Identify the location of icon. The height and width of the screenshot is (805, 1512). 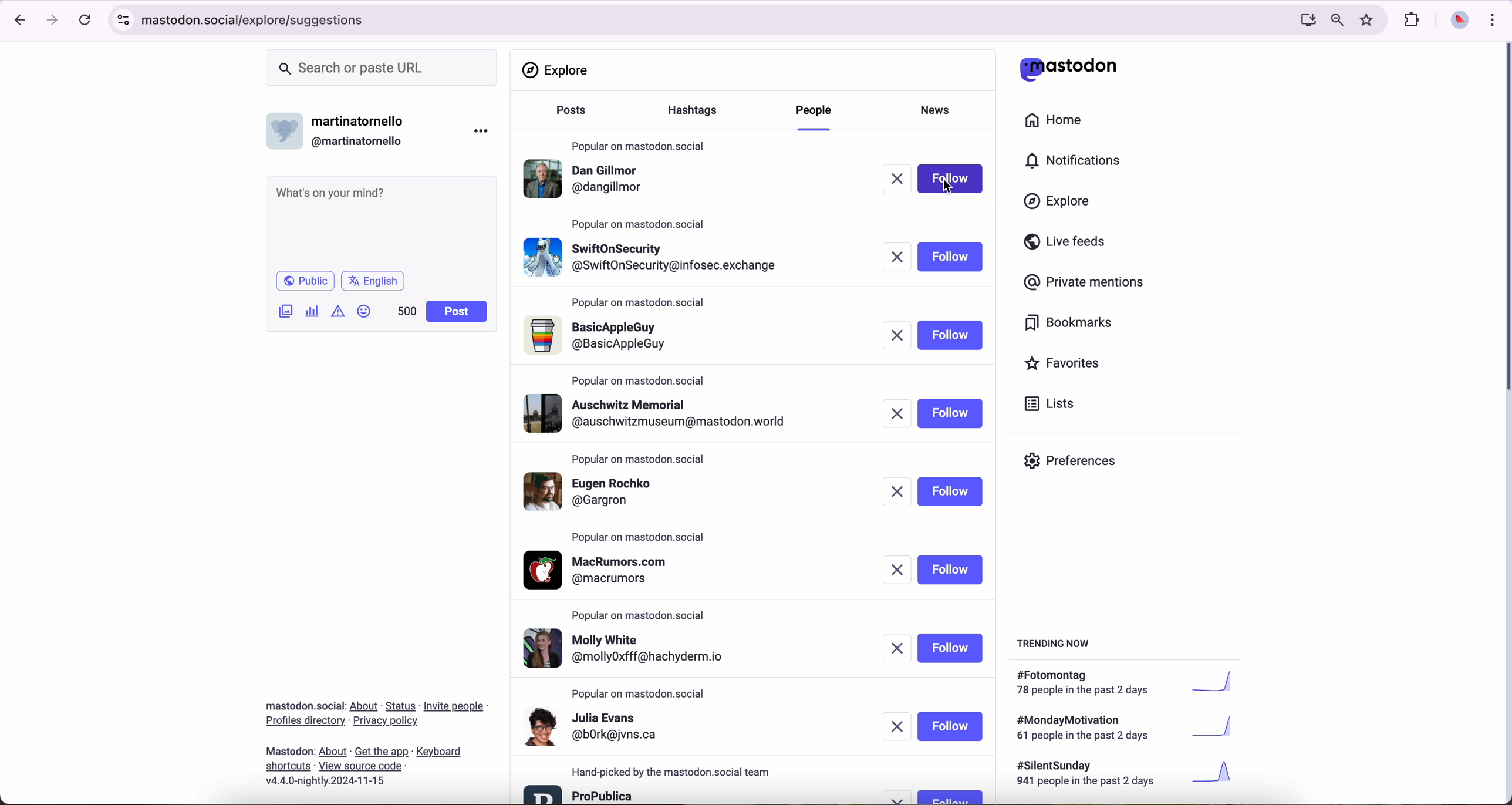
(339, 311).